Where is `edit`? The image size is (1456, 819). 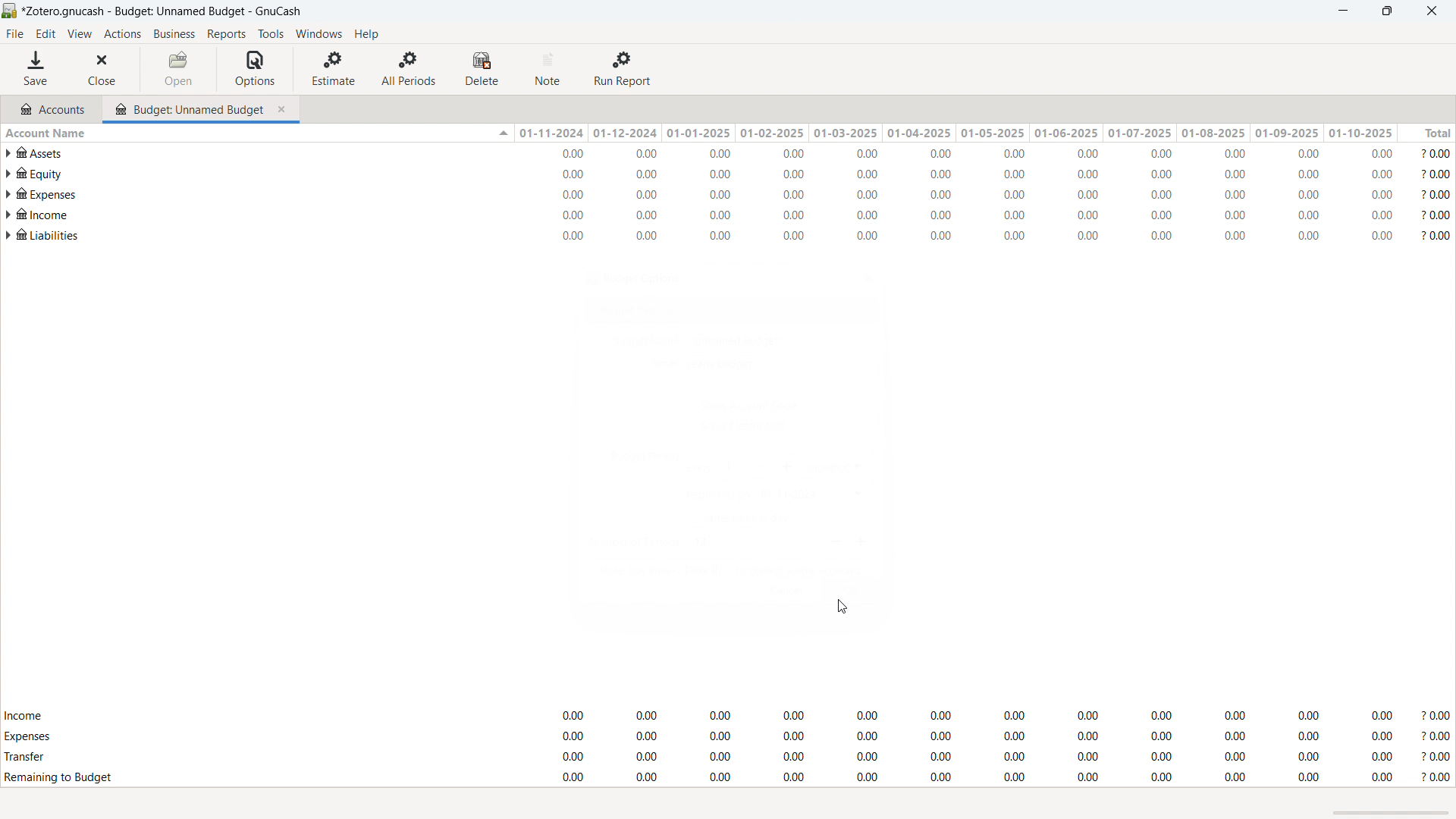 edit is located at coordinates (46, 34).